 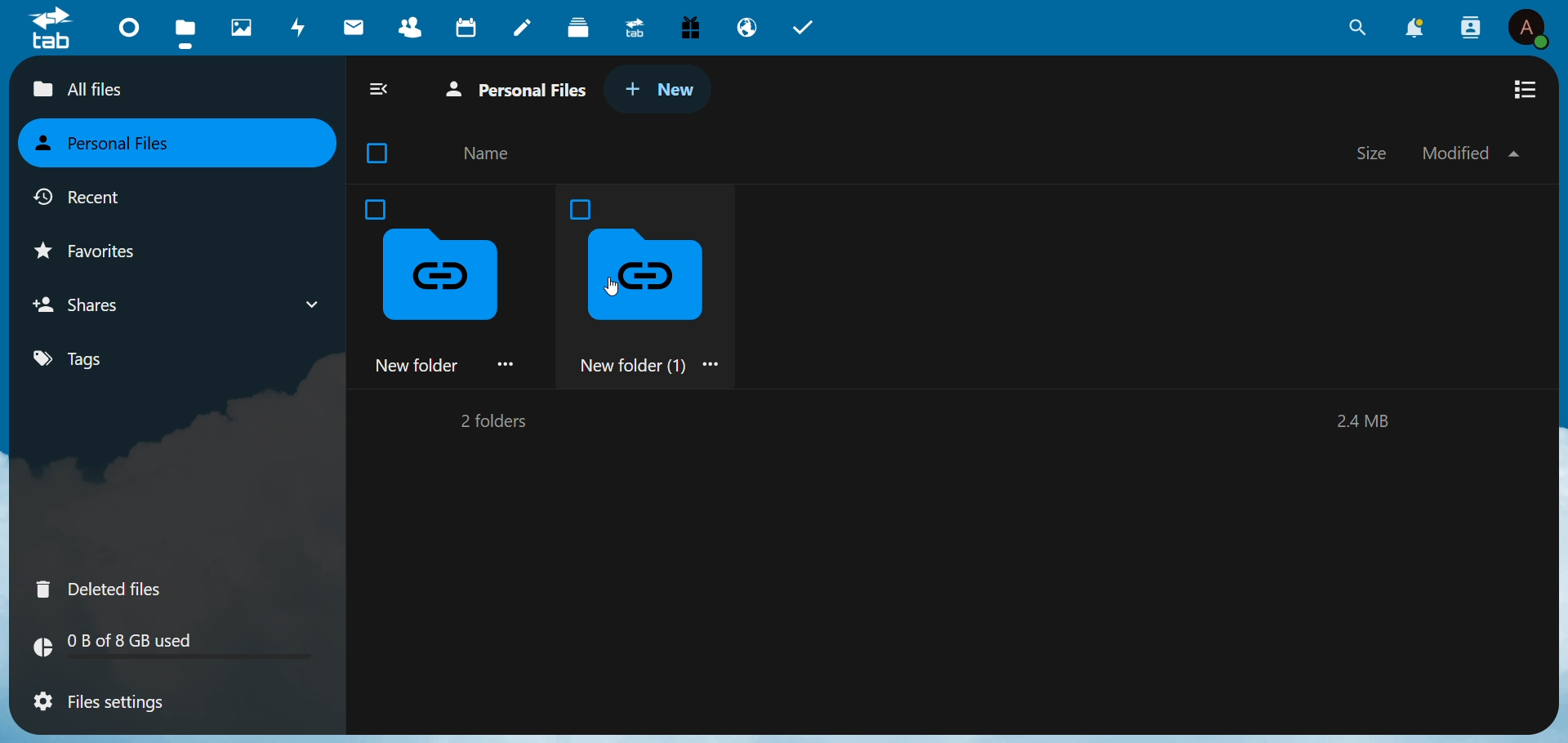 I want to click on task, so click(x=809, y=29).